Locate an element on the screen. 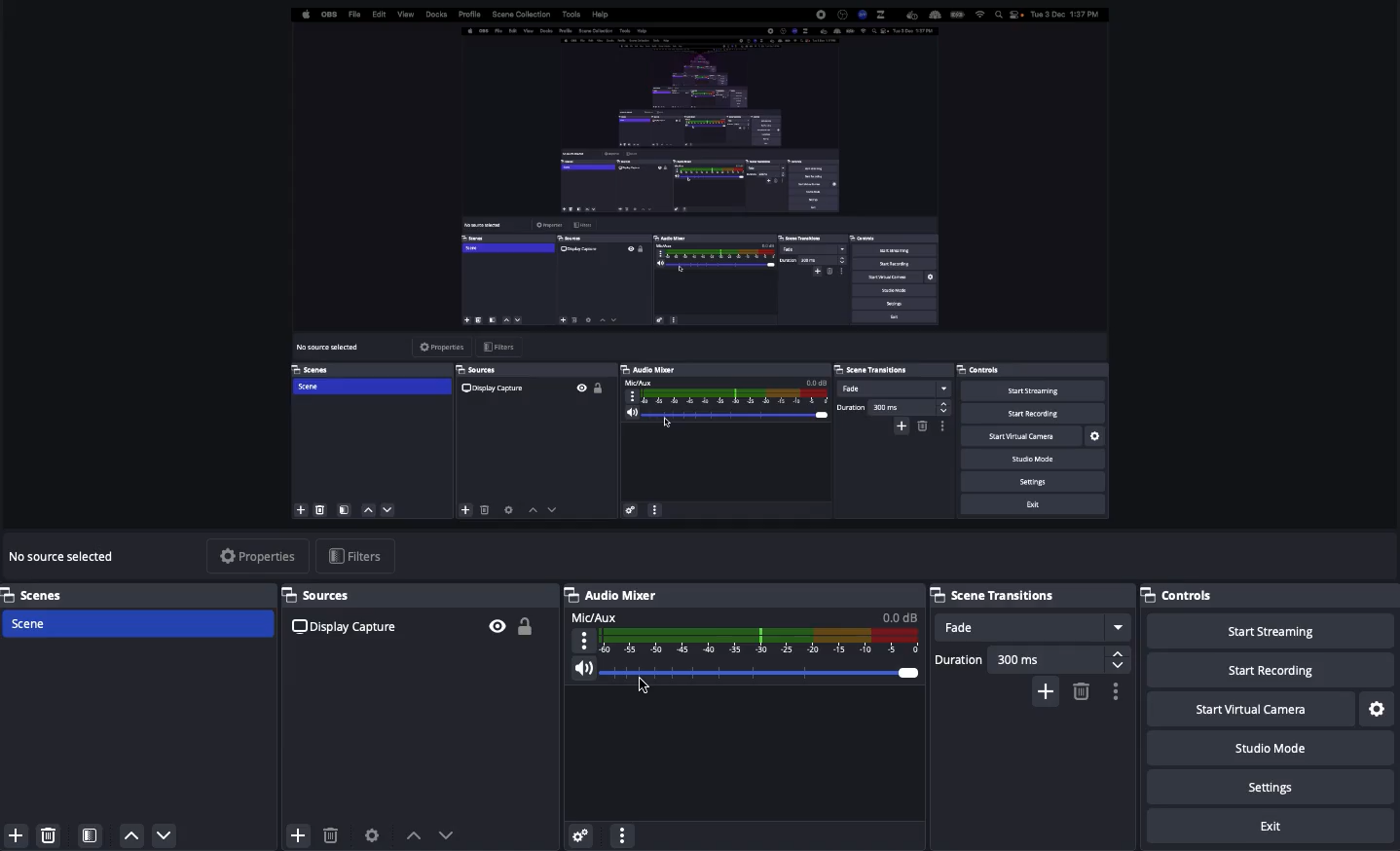 The height and width of the screenshot is (851, 1400). Fade is located at coordinates (1033, 627).